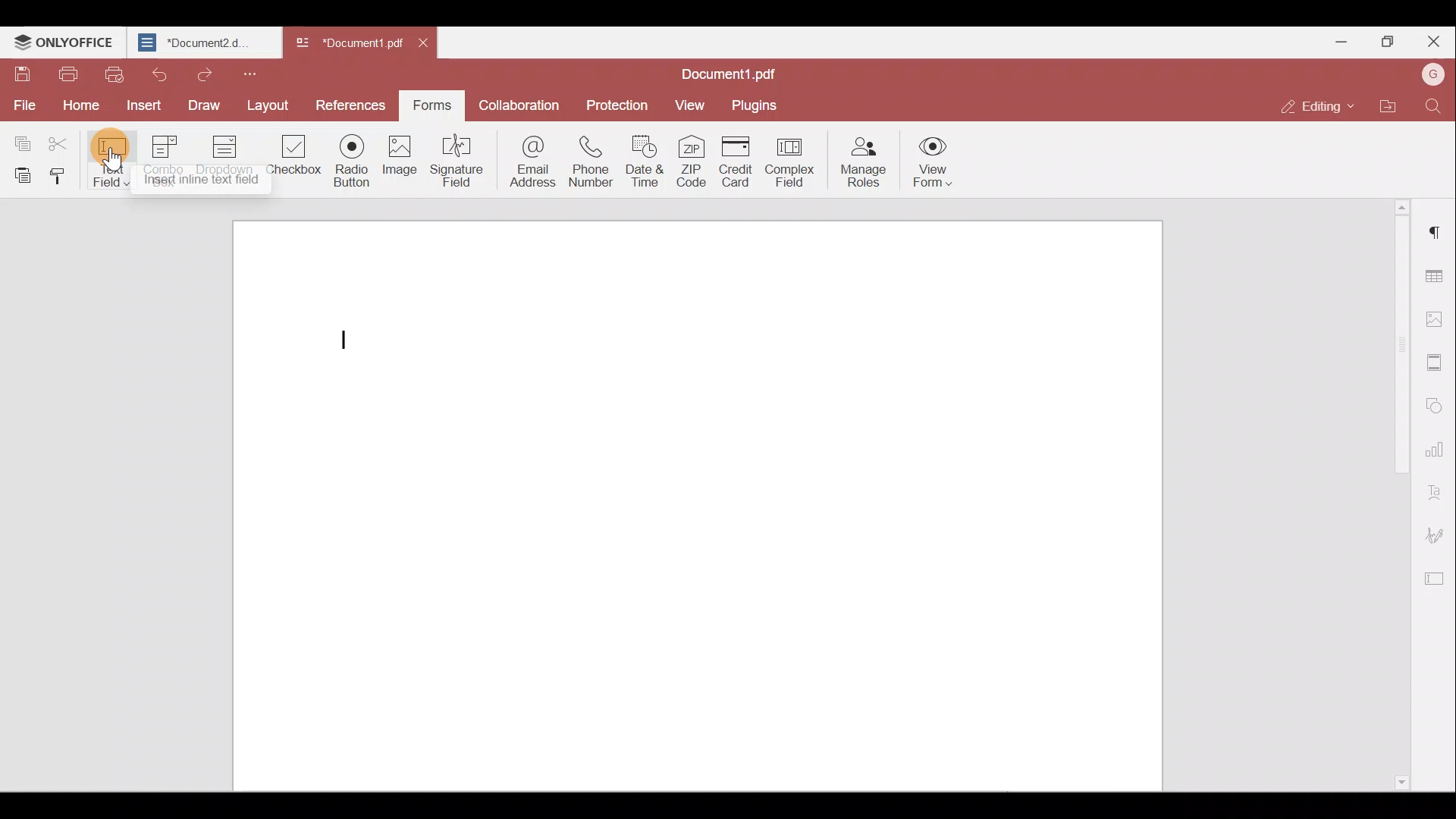 The width and height of the screenshot is (1456, 819). Describe the element at coordinates (19, 174) in the screenshot. I see `Paste` at that location.